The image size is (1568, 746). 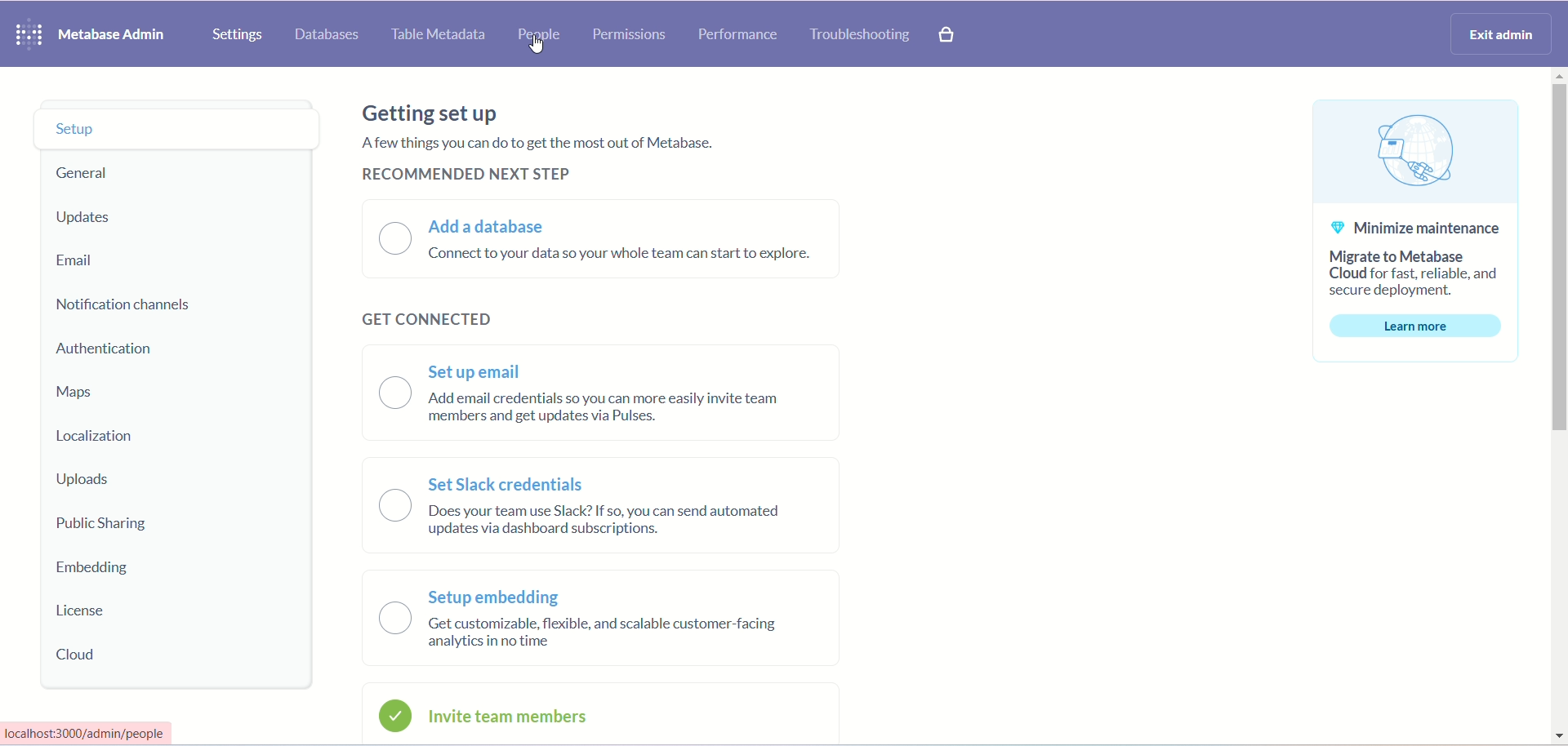 What do you see at coordinates (638, 248) in the screenshot?
I see `add a database` at bounding box center [638, 248].